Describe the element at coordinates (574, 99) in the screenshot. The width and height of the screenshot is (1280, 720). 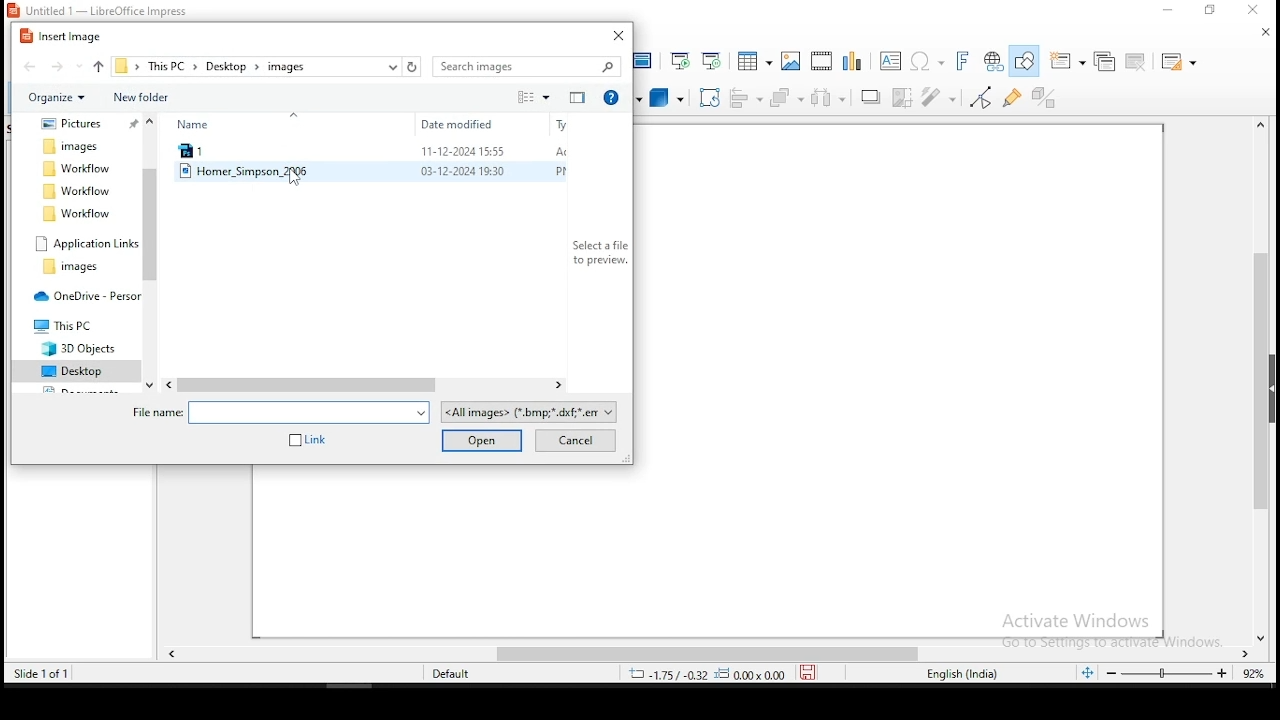
I see `folder` at that location.